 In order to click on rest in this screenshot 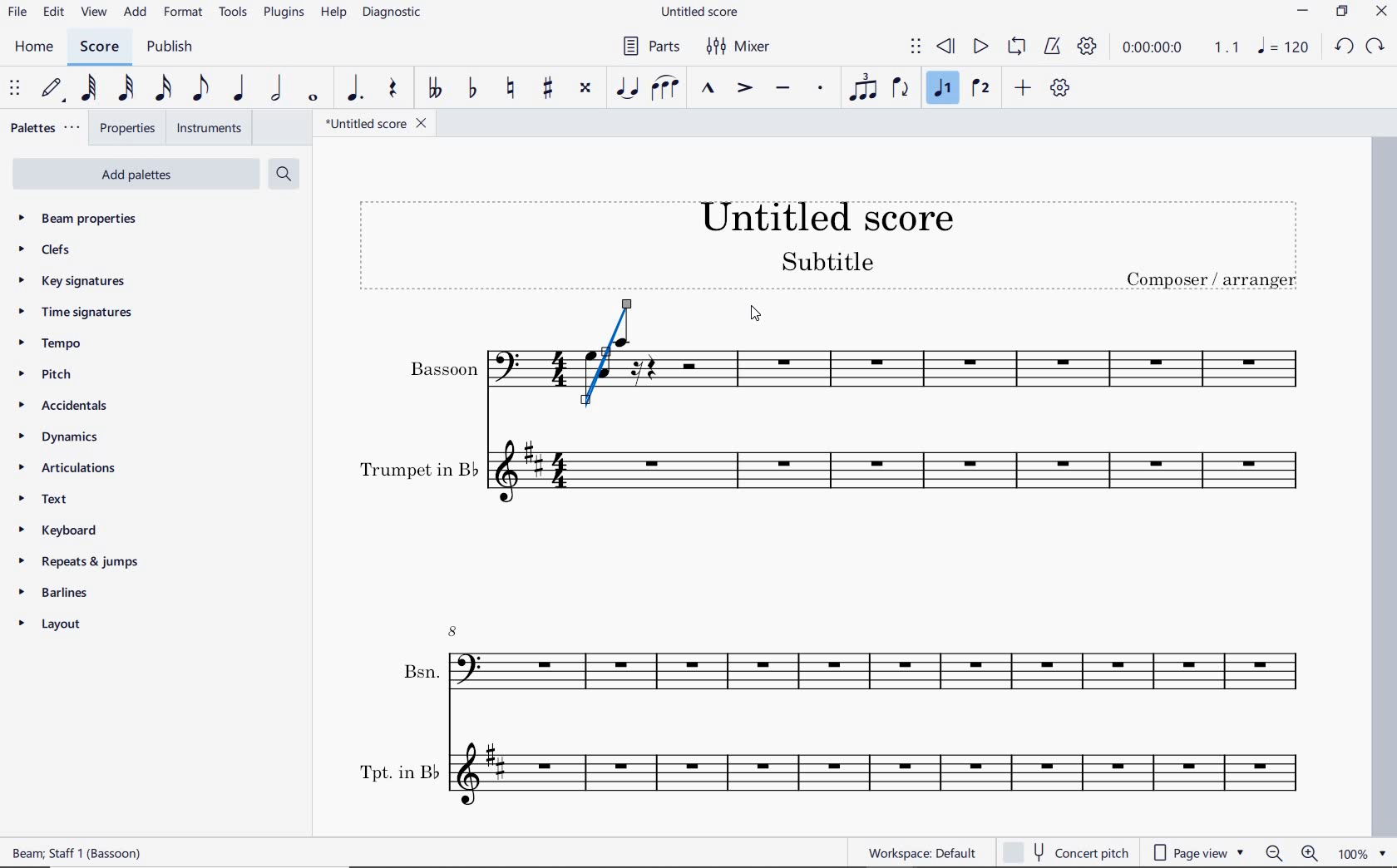, I will do `click(395, 89)`.